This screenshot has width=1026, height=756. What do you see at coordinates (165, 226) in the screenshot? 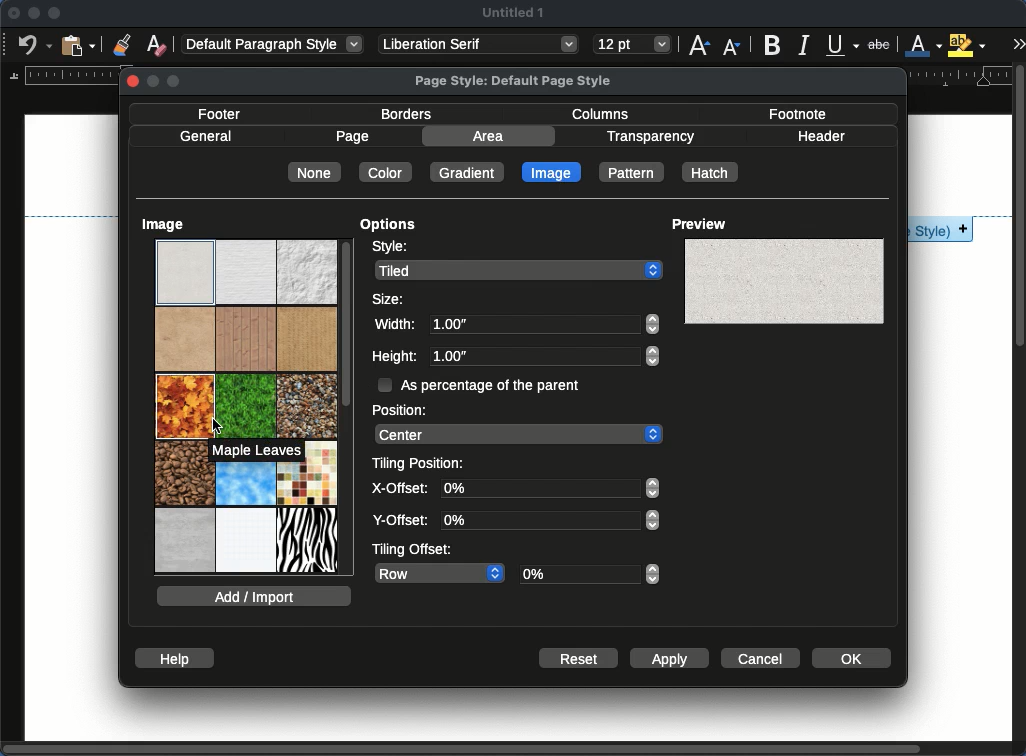
I see `image` at bounding box center [165, 226].